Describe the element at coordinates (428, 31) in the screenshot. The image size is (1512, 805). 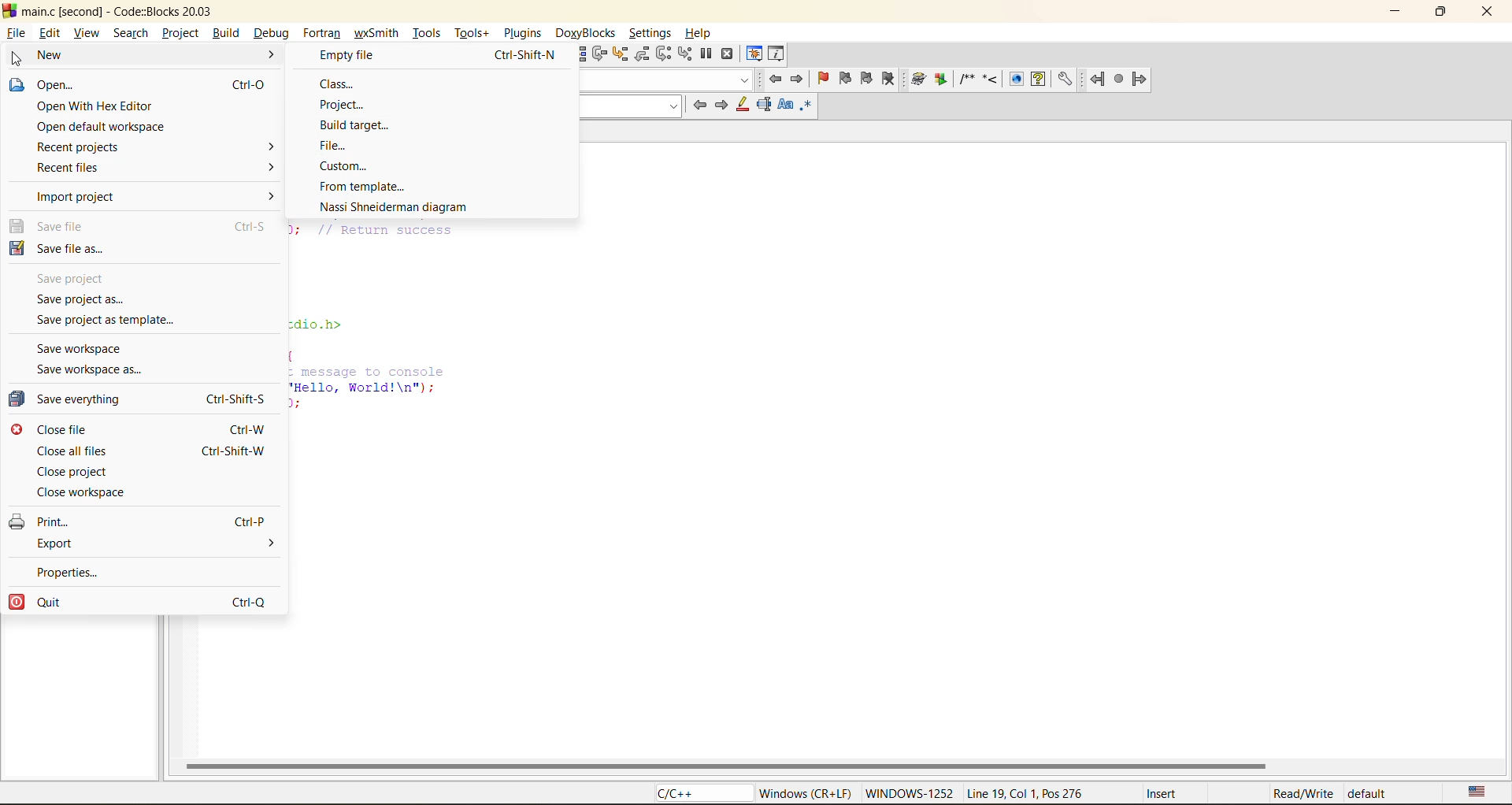
I see `tools` at that location.